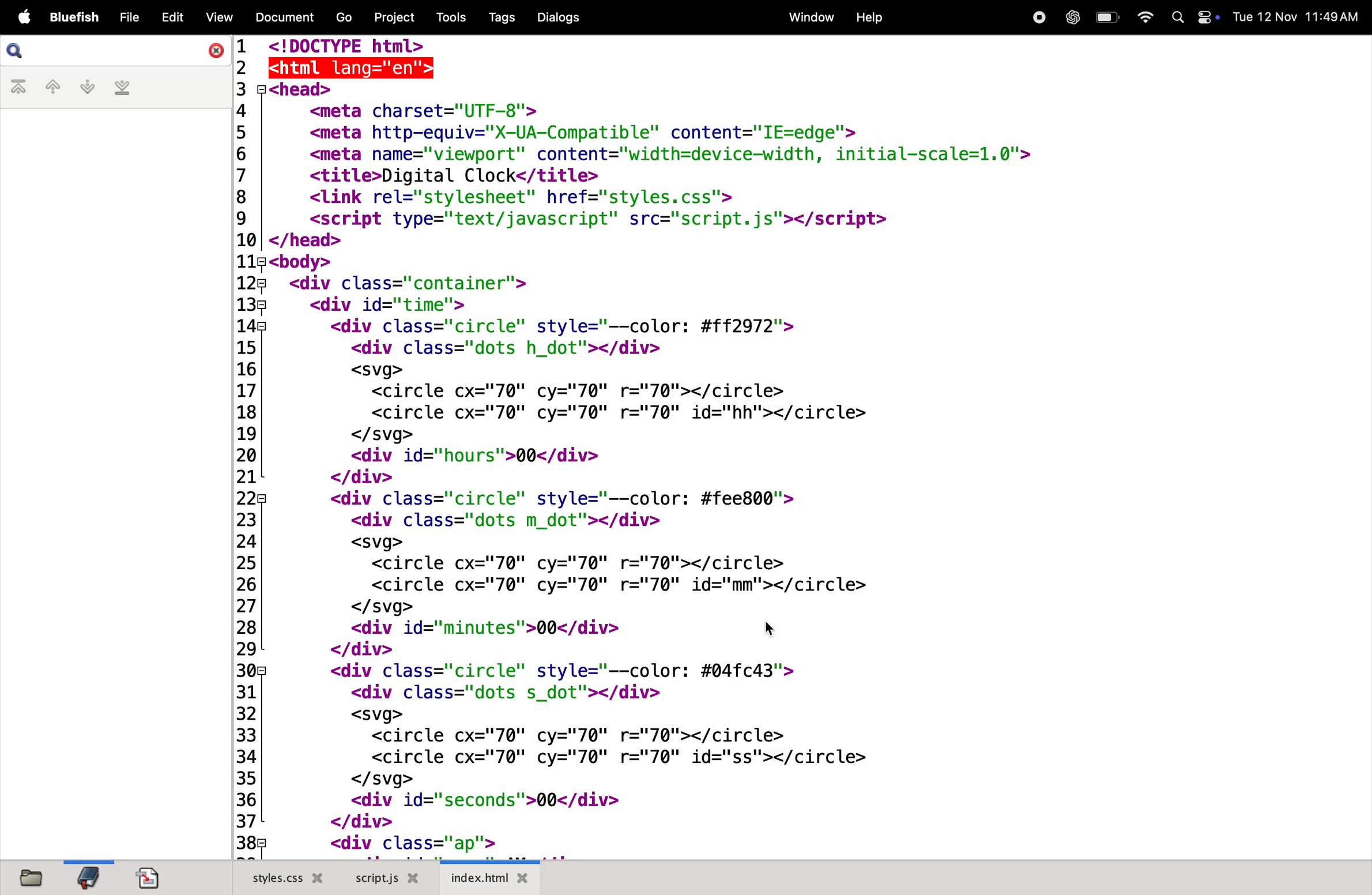  Describe the element at coordinates (54, 85) in the screenshot. I see `previous bookmark` at that location.